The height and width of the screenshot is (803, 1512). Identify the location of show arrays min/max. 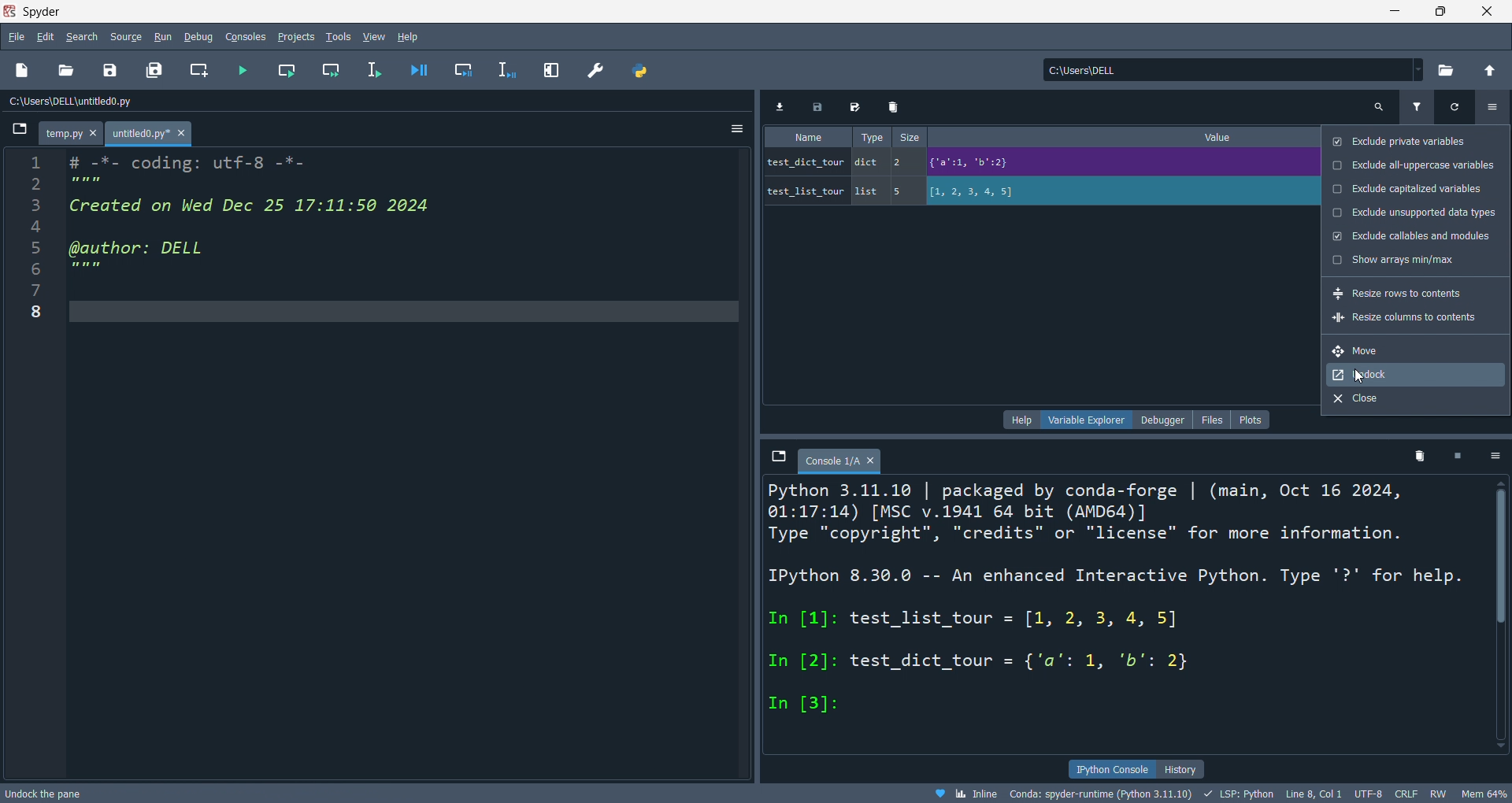
(1417, 259).